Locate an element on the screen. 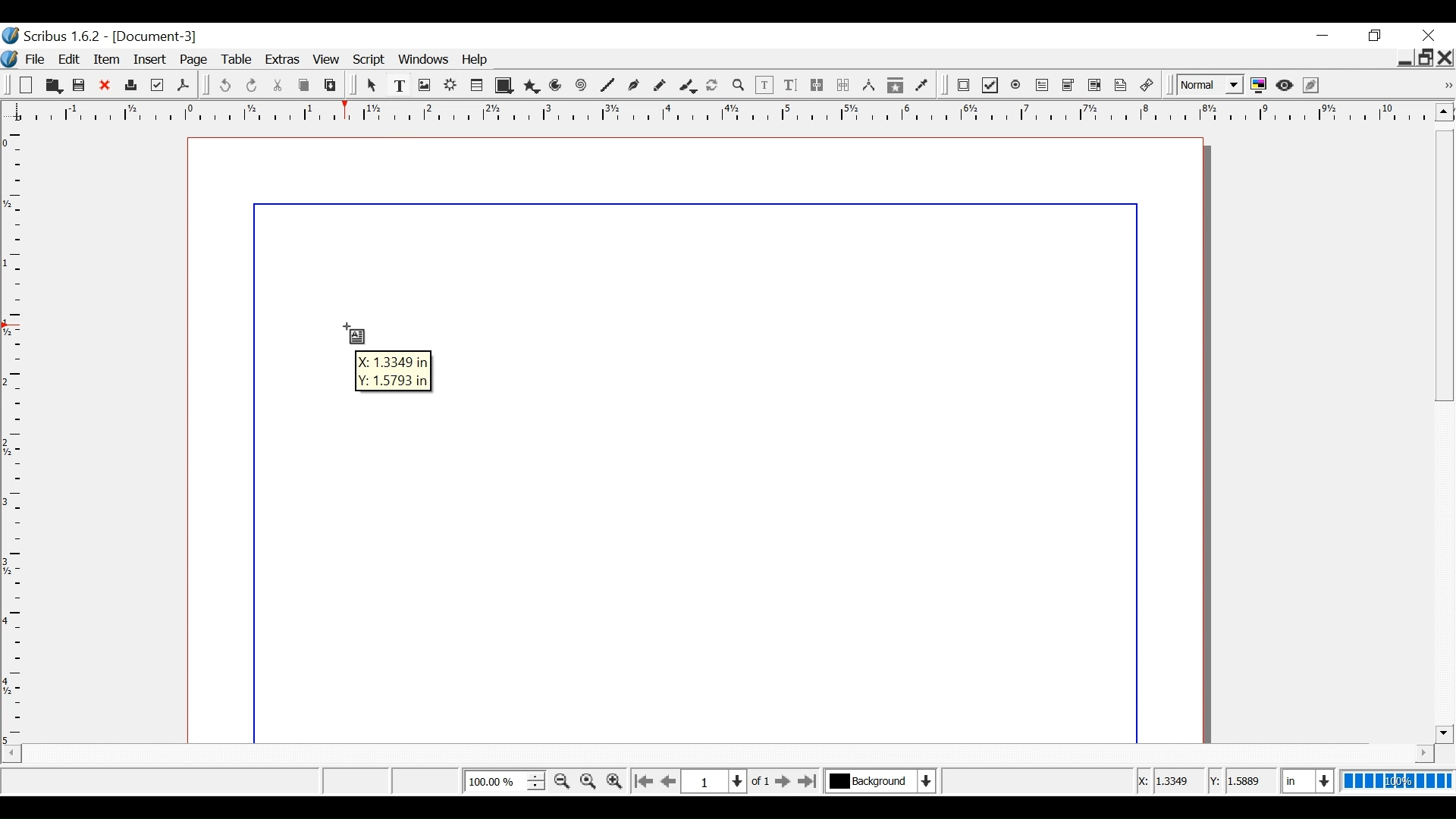 The image size is (1456, 819). PDF Text Field is located at coordinates (1043, 86).